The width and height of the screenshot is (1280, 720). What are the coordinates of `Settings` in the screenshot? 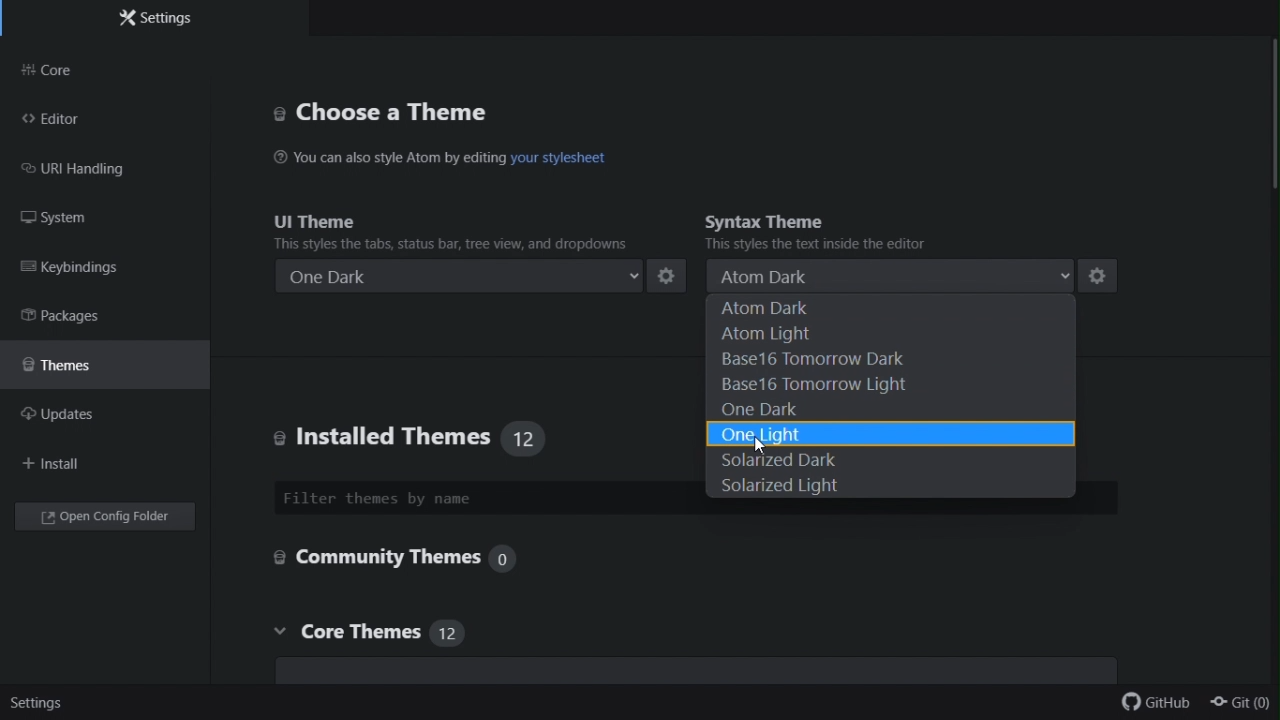 It's located at (149, 19).